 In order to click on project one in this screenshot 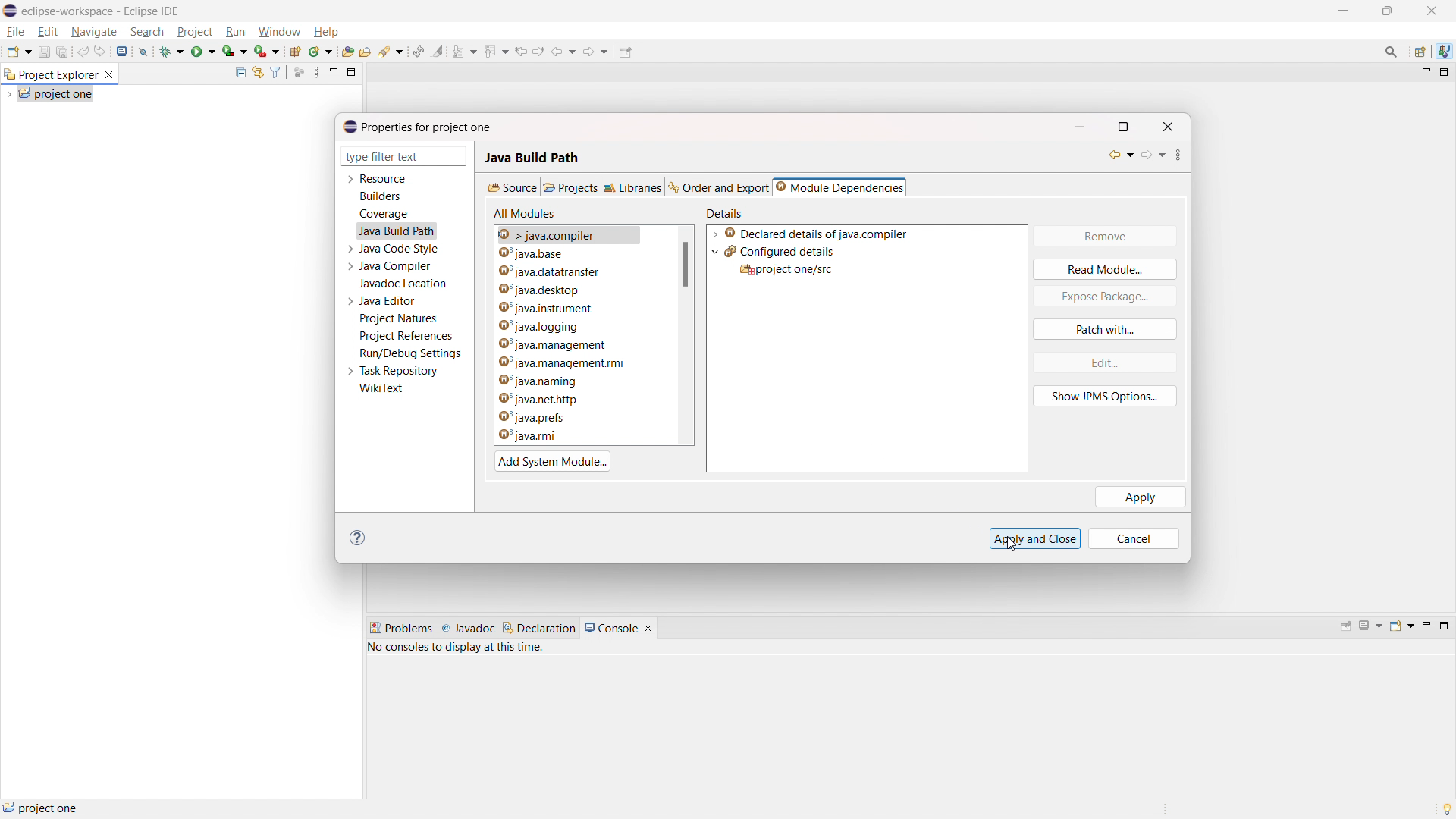, I will do `click(56, 93)`.